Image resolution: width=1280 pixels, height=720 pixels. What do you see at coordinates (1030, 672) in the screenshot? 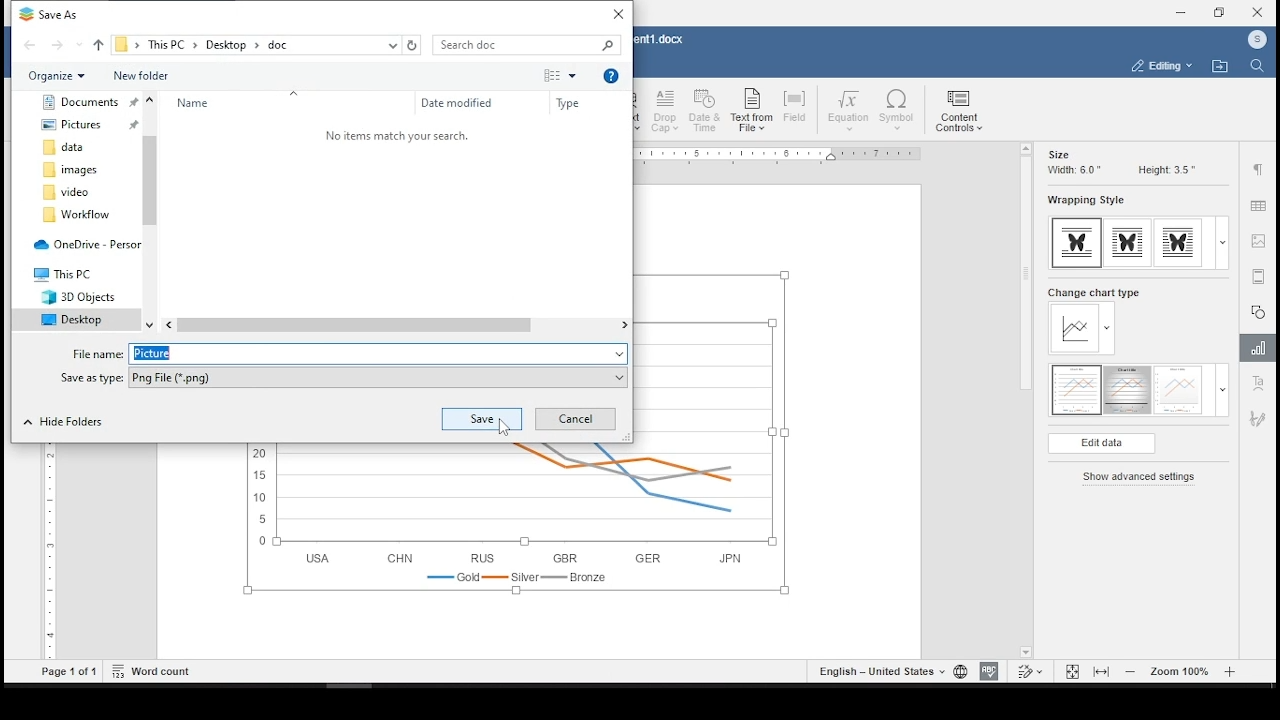
I see `track changes` at bounding box center [1030, 672].